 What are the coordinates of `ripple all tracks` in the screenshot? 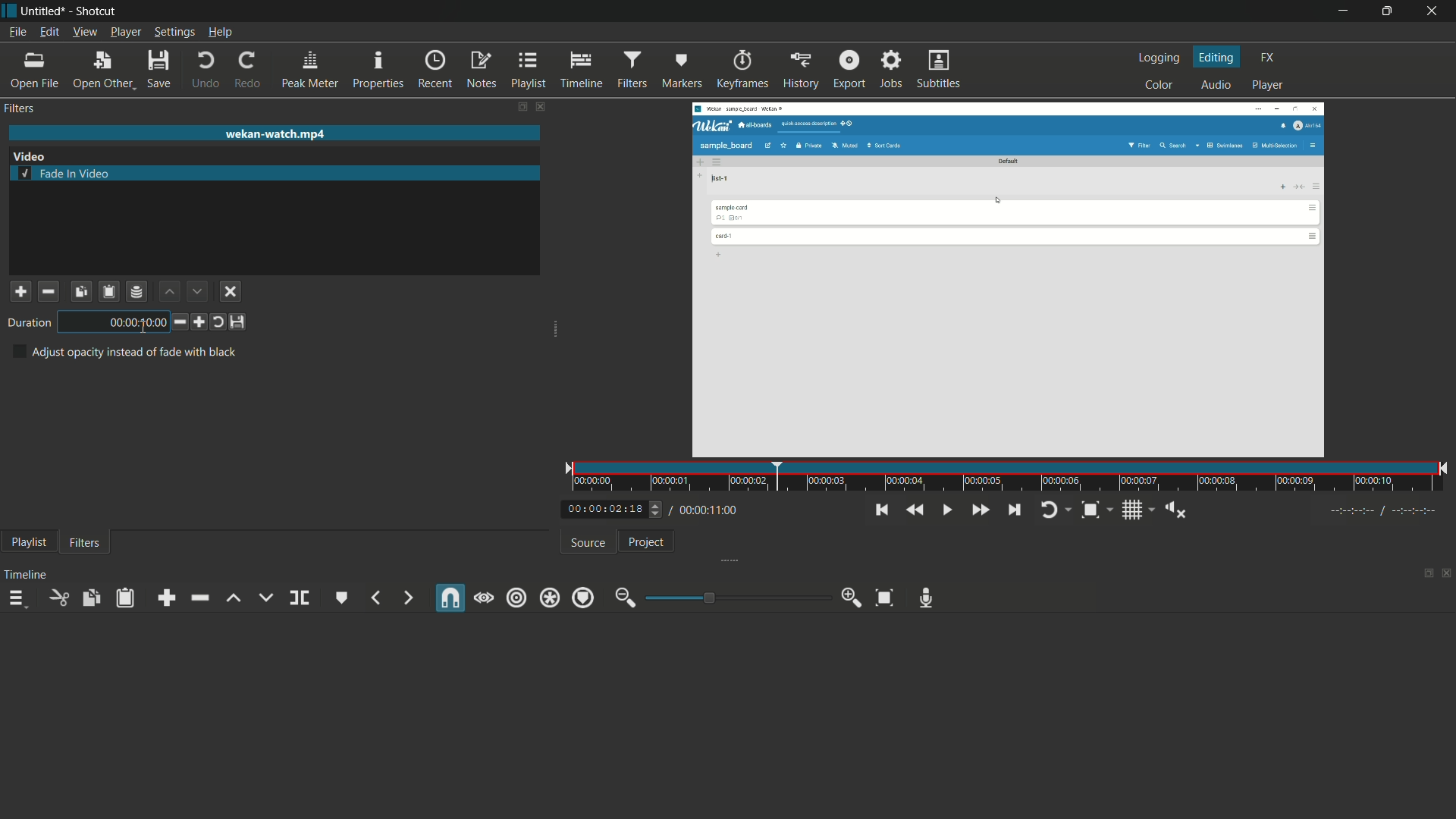 It's located at (550, 598).